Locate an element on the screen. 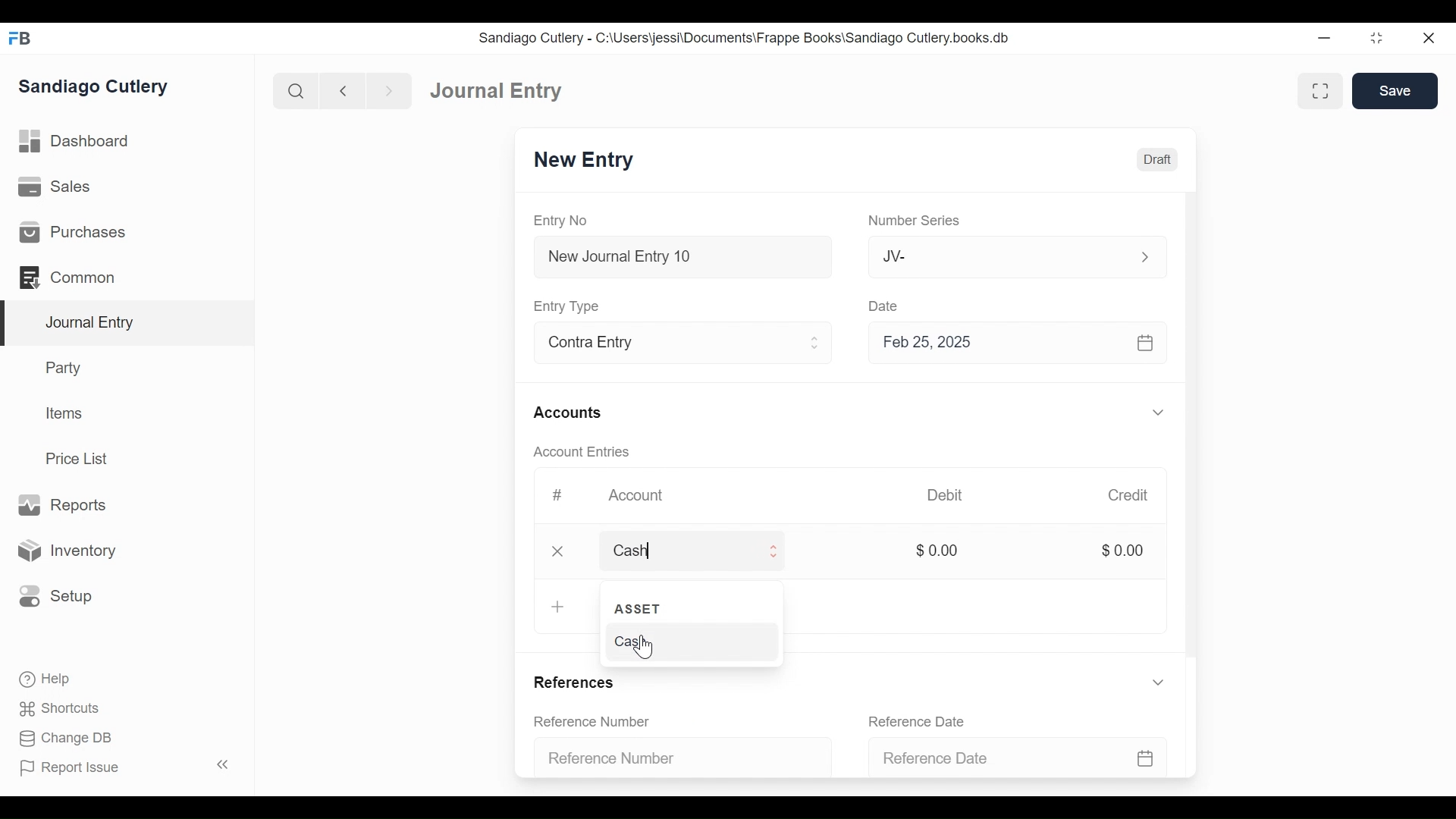 This screenshot has height=819, width=1456. Cash is located at coordinates (683, 643).